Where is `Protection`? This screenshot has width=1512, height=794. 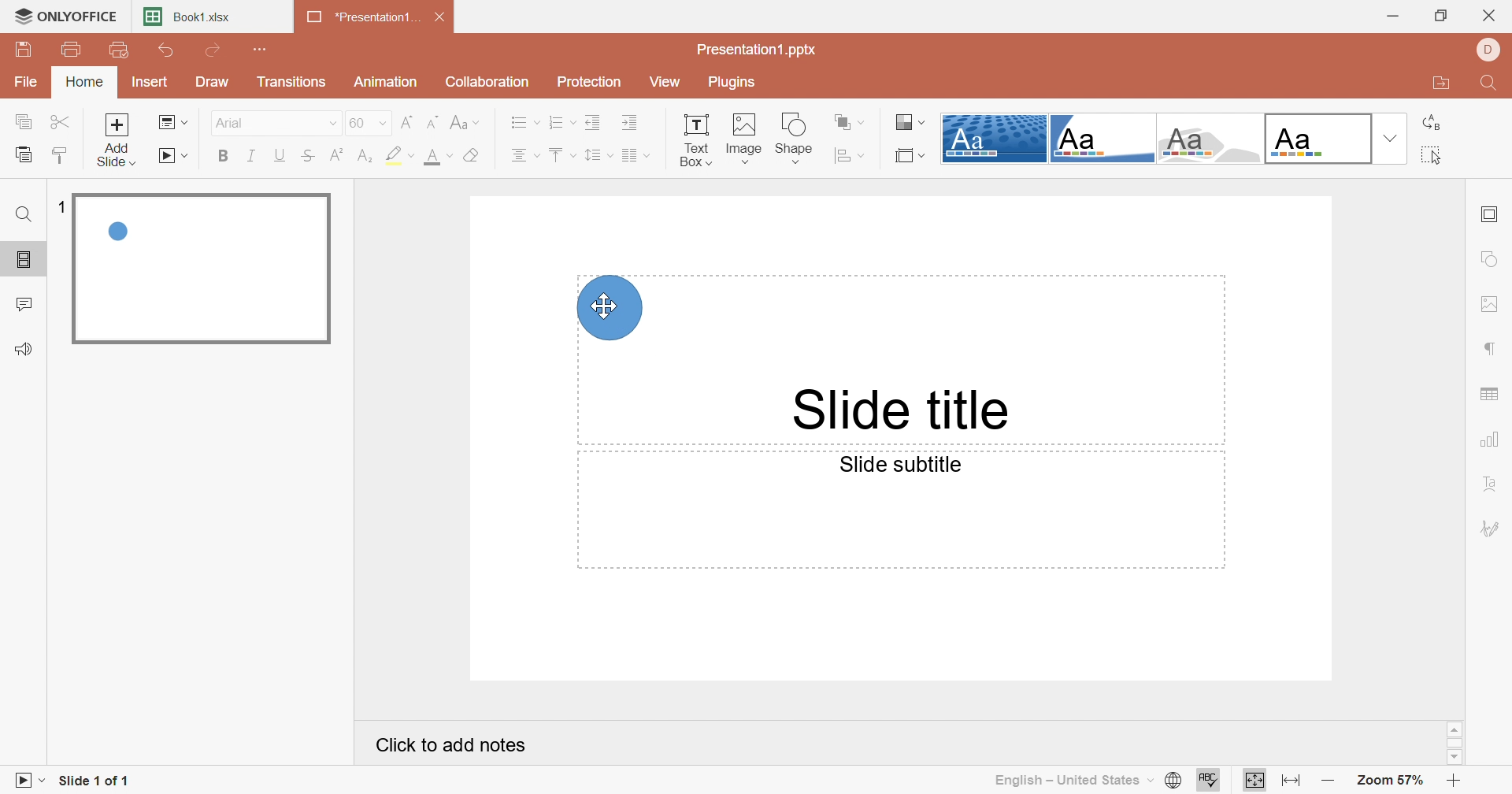
Protection is located at coordinates (593, 82).